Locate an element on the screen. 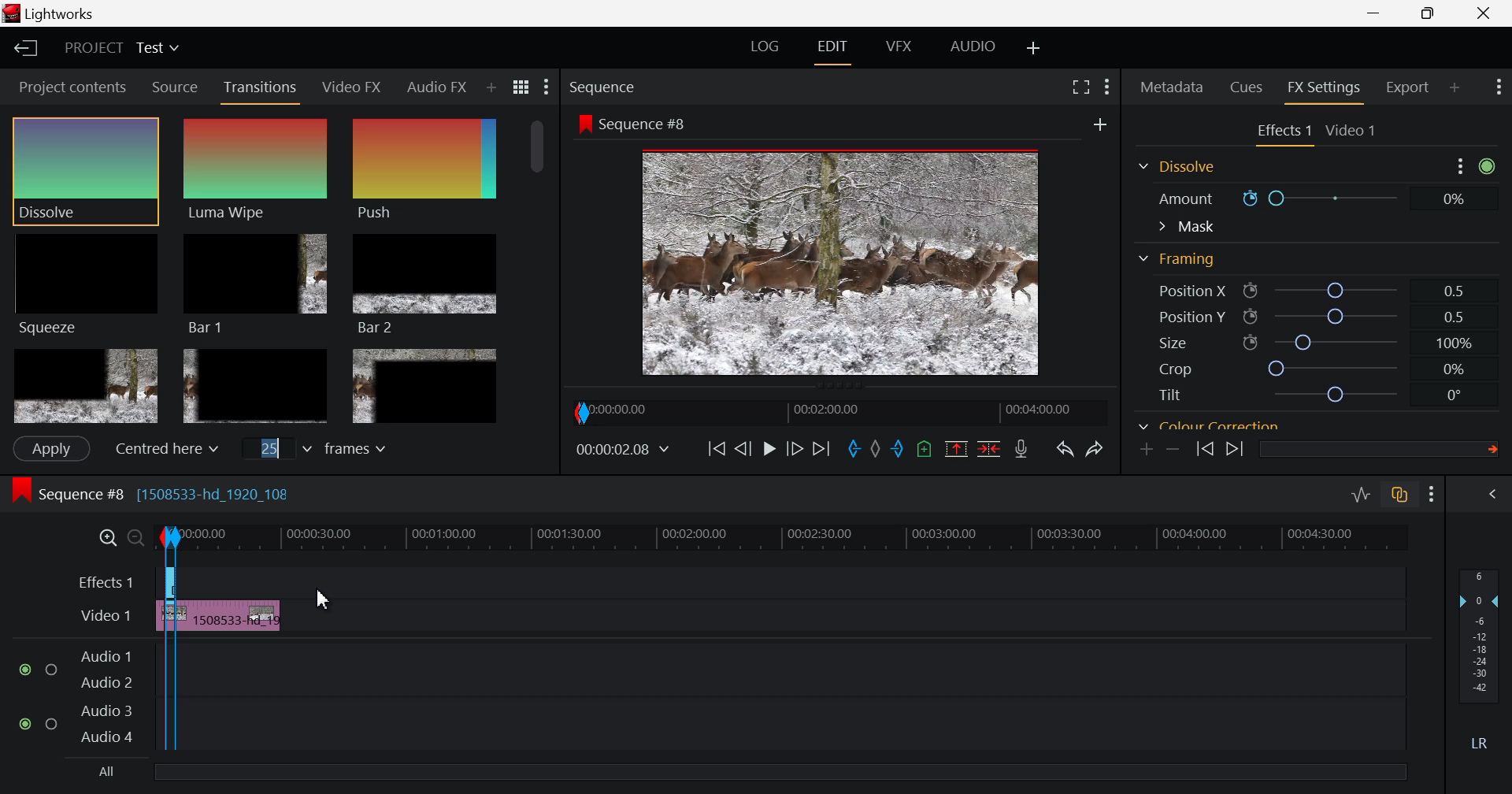  Remove keyframe is located at coordinates (1173, 451).